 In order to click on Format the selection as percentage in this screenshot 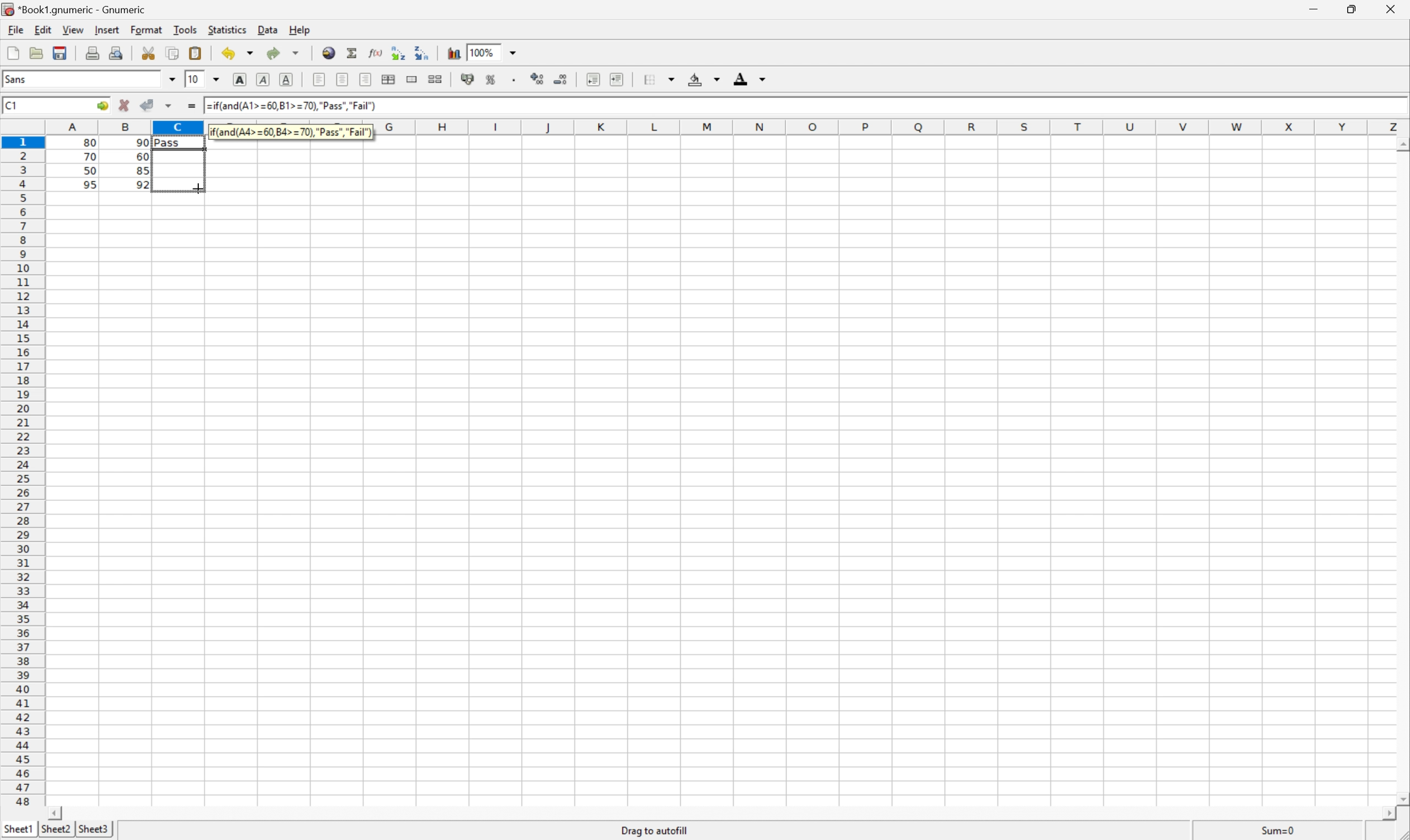, I will do `click(493, 78)`.